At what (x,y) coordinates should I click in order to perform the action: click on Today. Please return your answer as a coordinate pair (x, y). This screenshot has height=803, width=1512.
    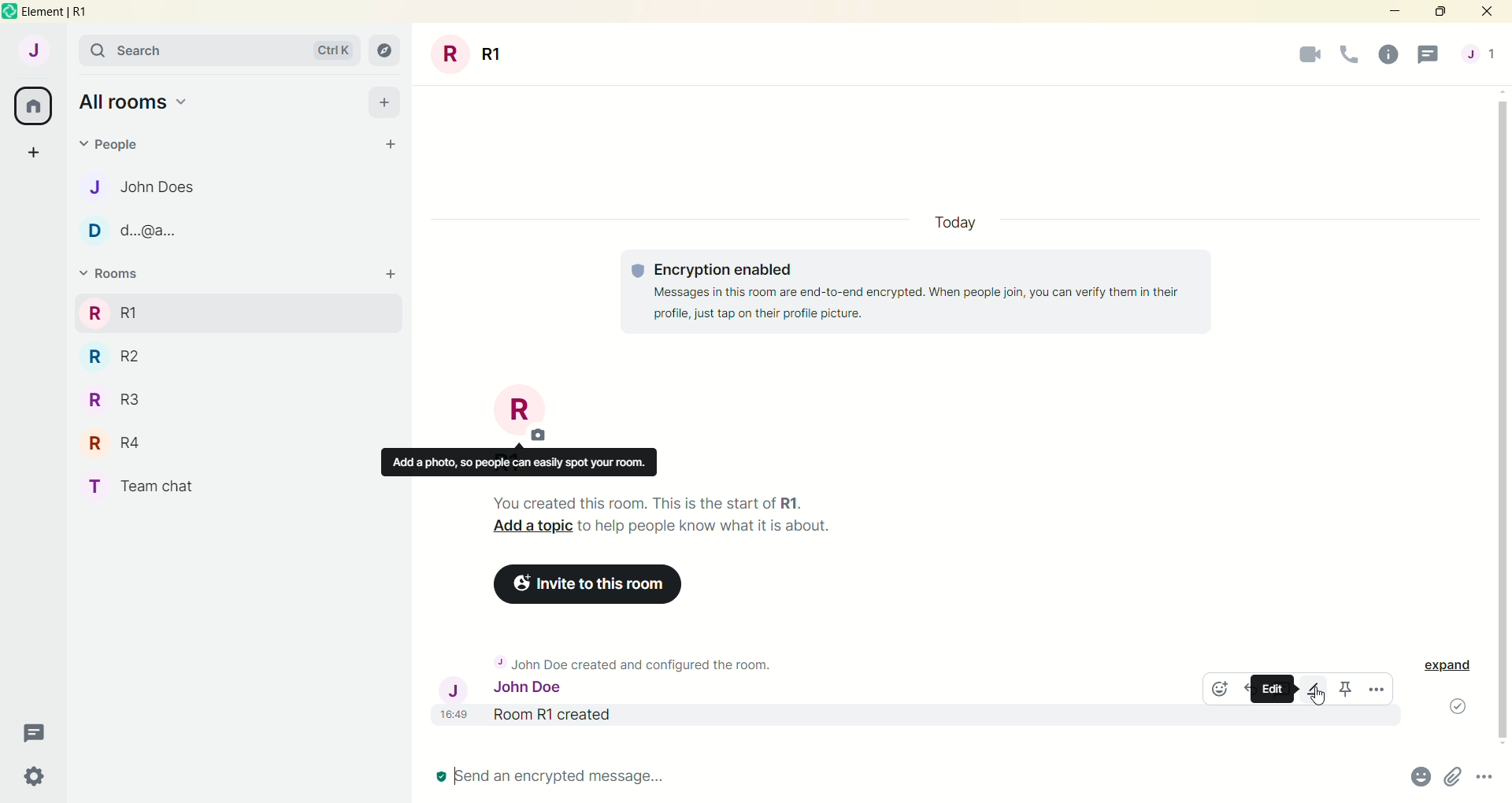
    Looking at the image, I should click on (953, 220).